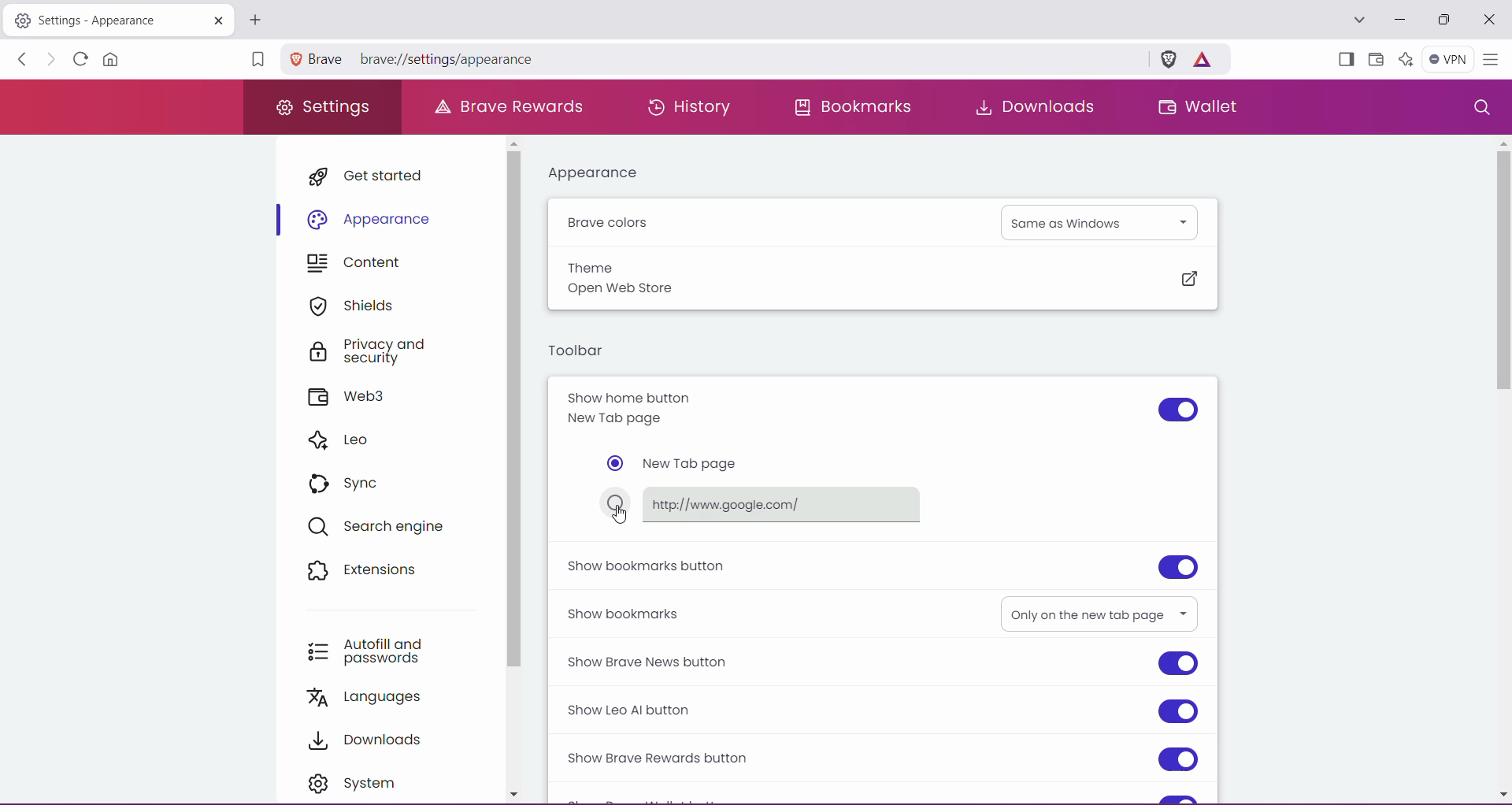 The image size is (1512, 805). Describe the element at coordinates (382, 525) in the screenshot. I see `Search engine` at that location.